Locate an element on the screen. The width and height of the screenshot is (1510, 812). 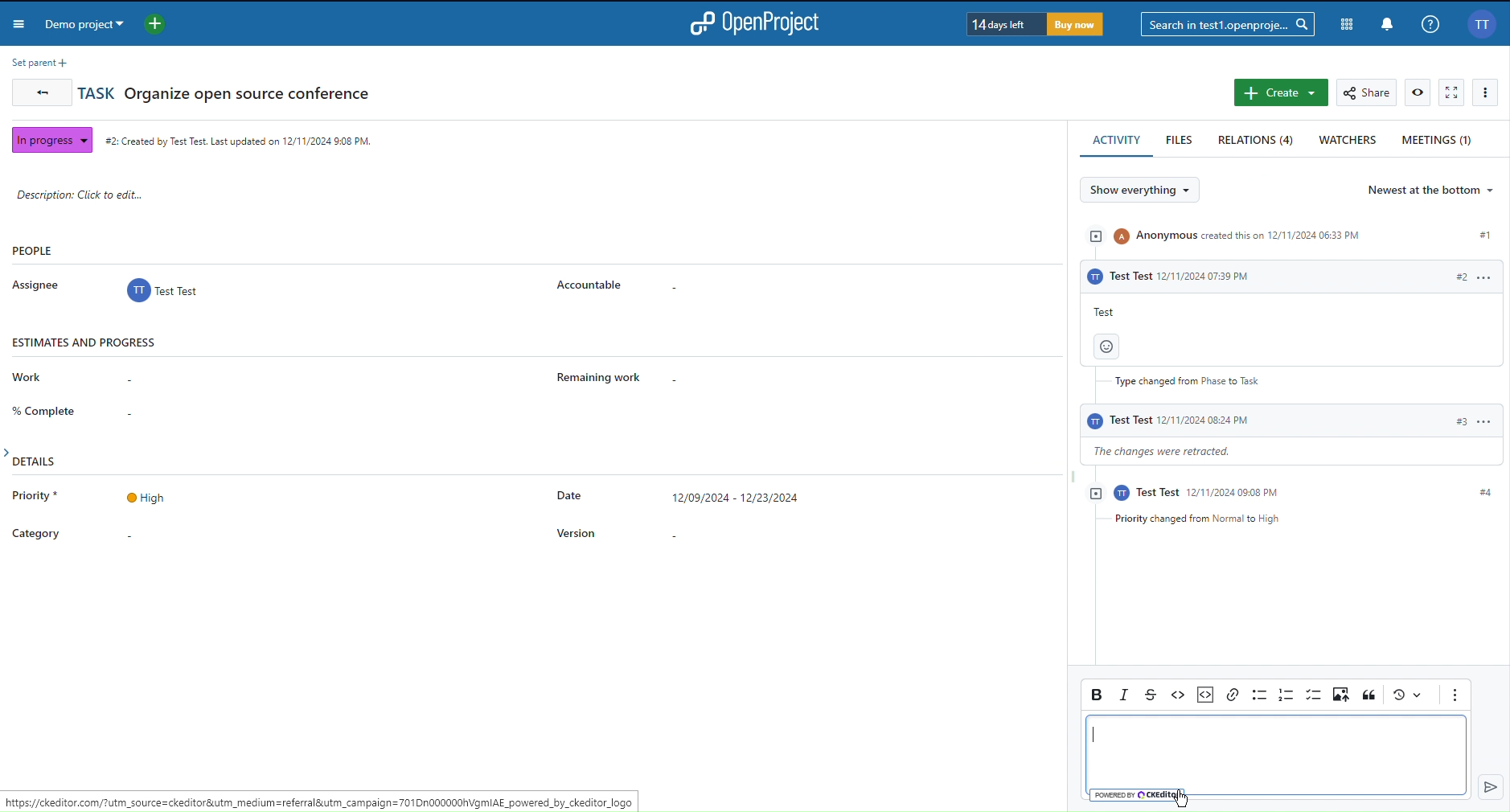
Trial Timer is located at coordinates (1032, 24).